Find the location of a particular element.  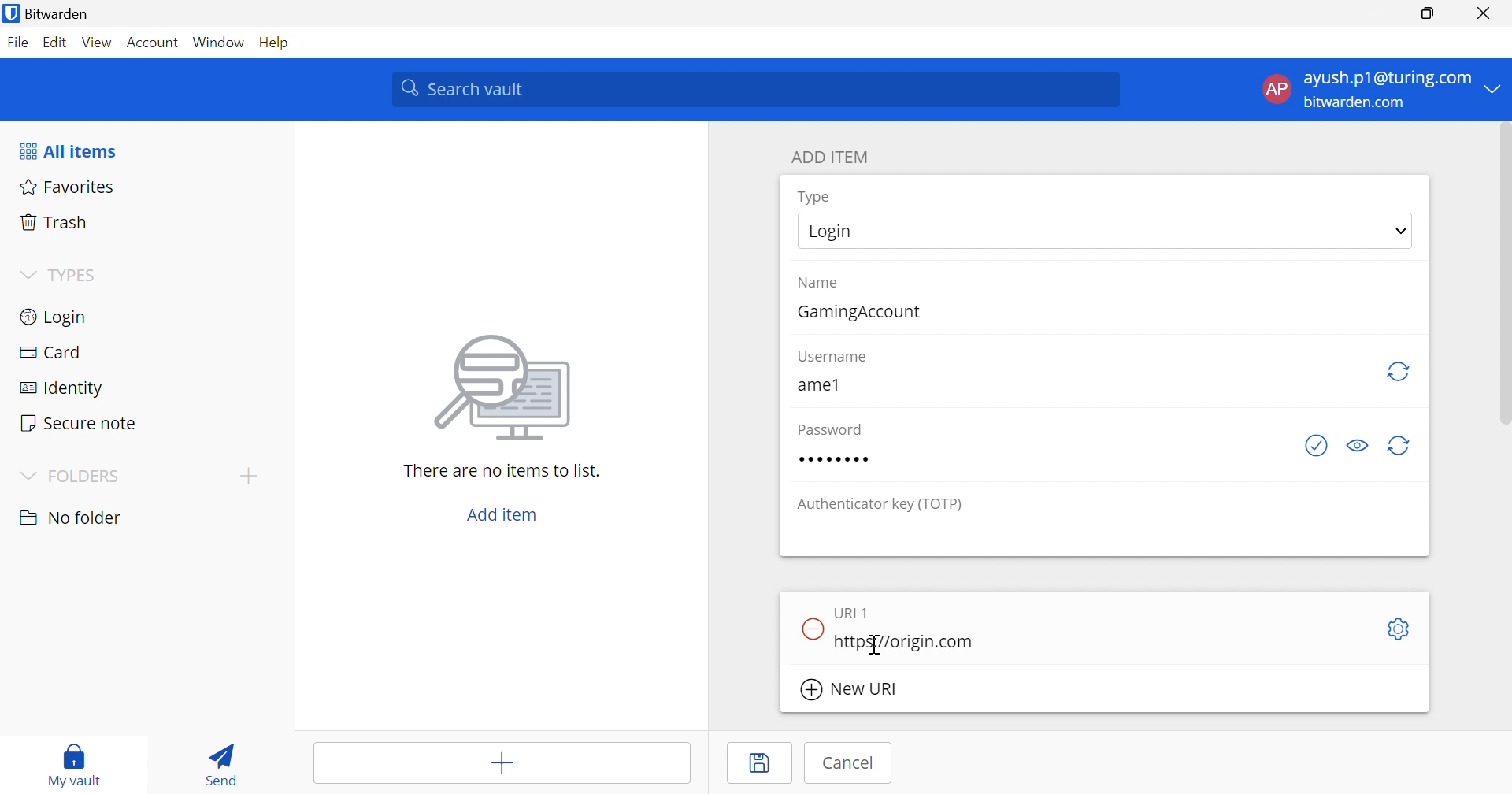

Search vault is located at coordinates (757, 89).